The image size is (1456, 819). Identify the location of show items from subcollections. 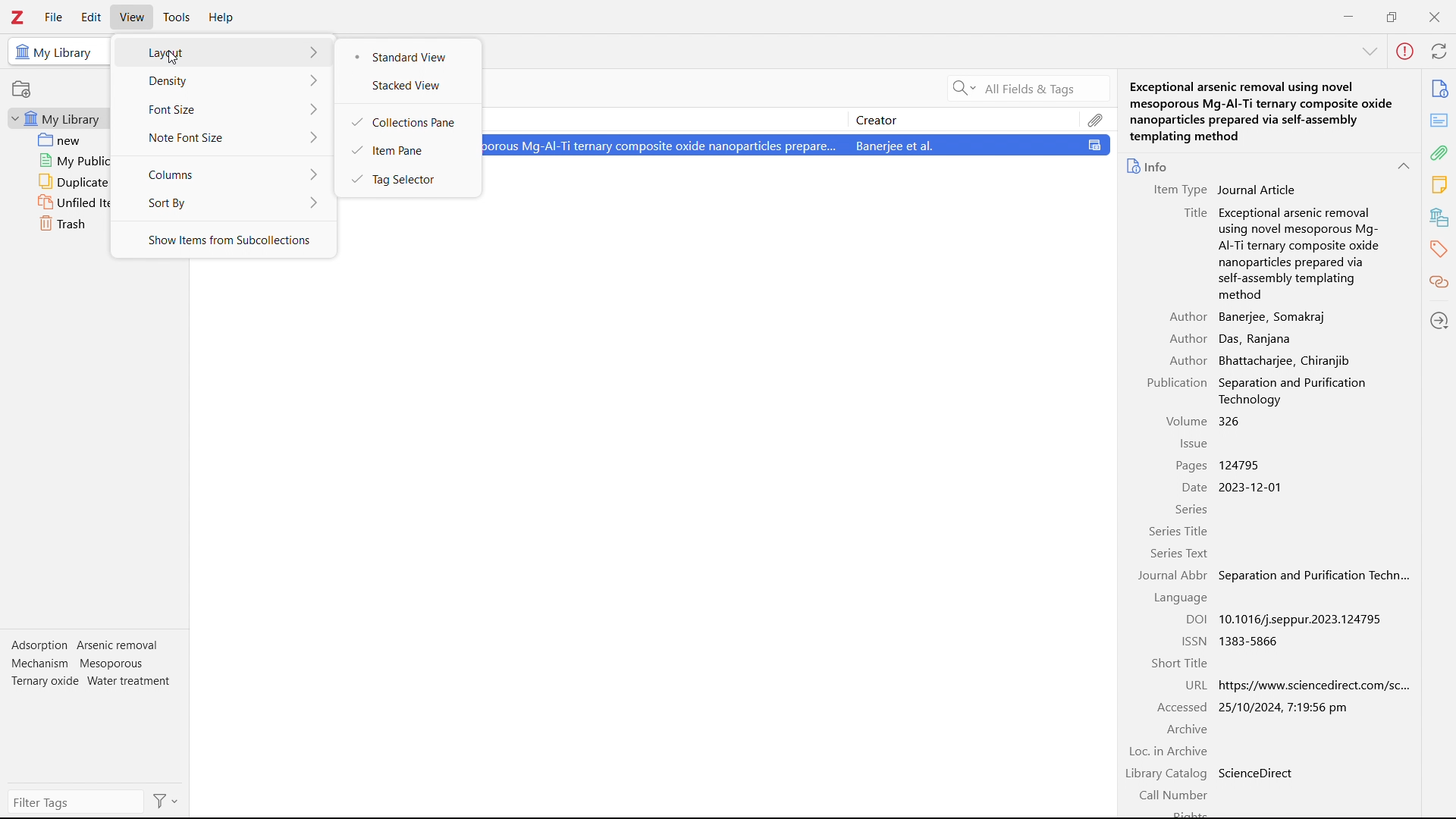
(224, 240).